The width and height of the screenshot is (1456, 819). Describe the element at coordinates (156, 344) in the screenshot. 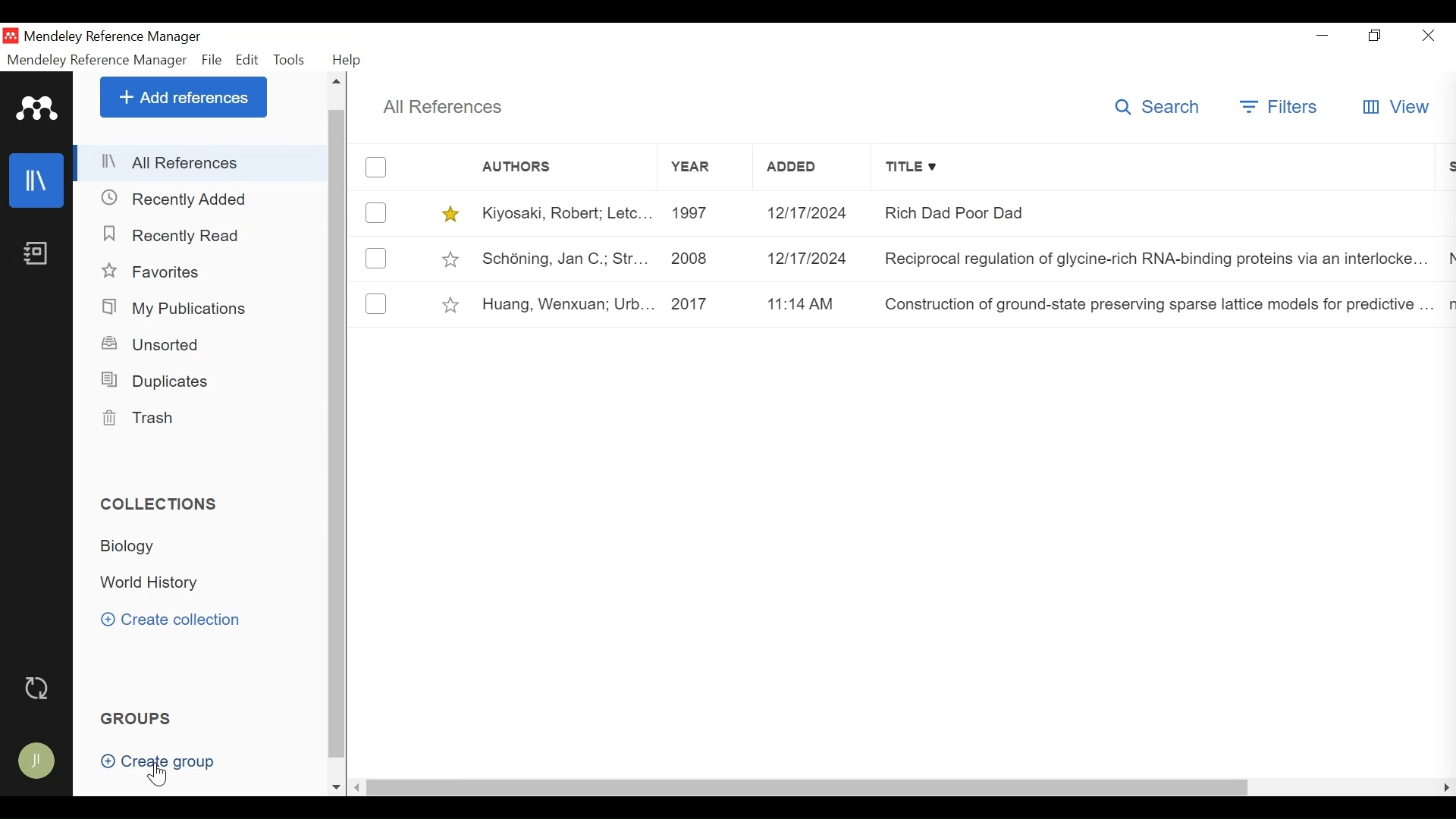

I see `Unsorted` at that location.